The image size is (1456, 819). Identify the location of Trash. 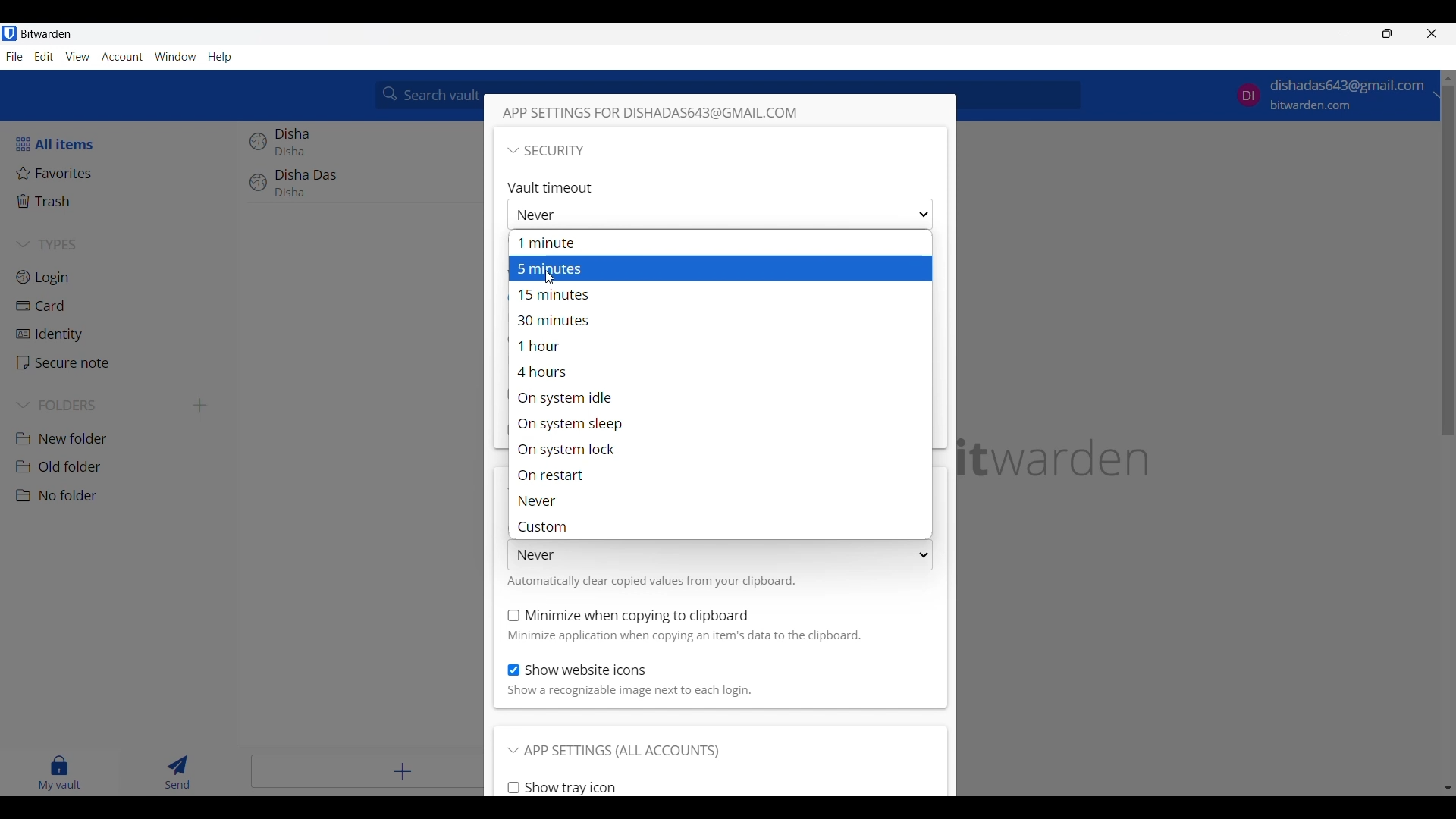
(122, 201).